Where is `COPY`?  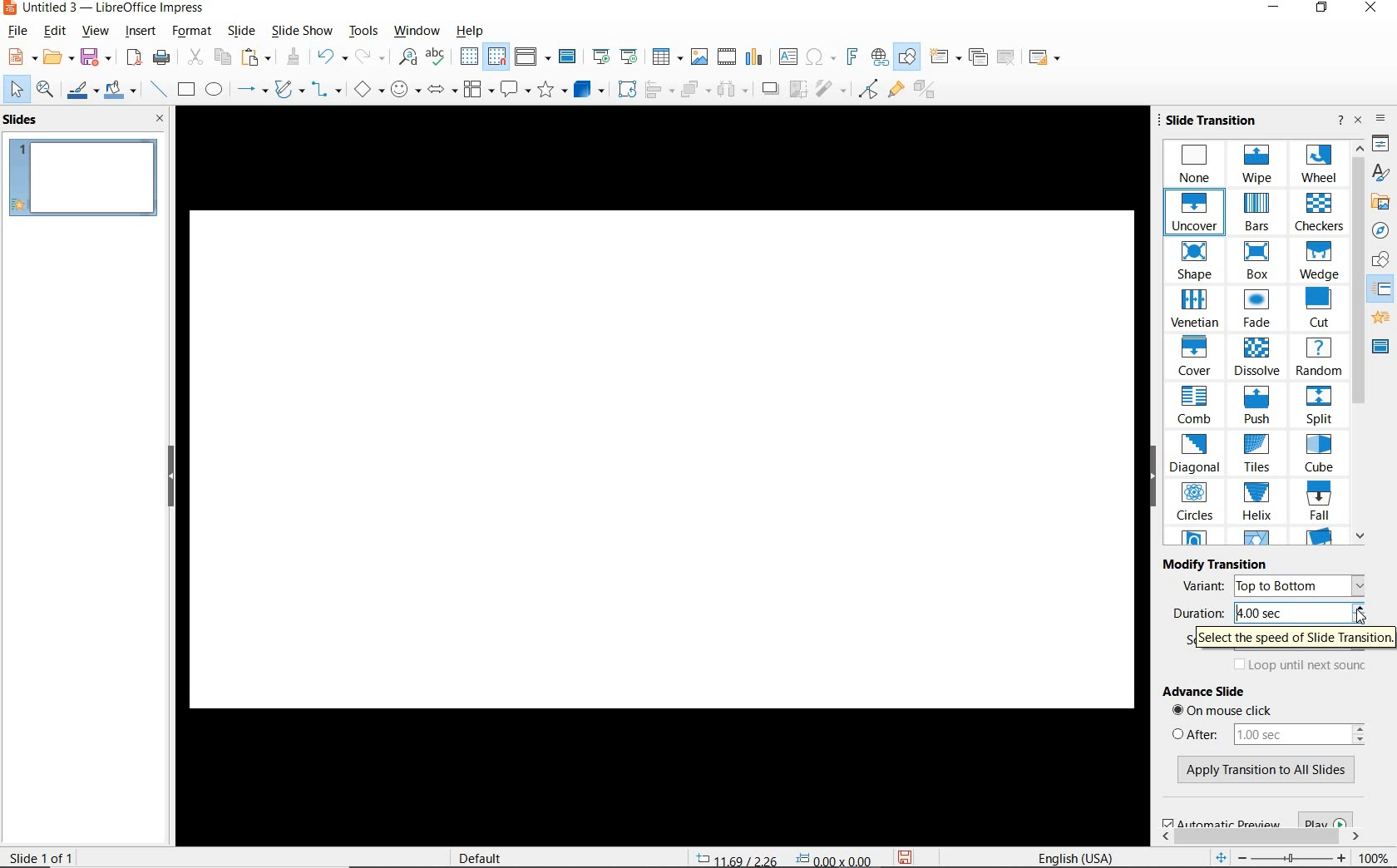
COPY is located at coordinates (221, 55).